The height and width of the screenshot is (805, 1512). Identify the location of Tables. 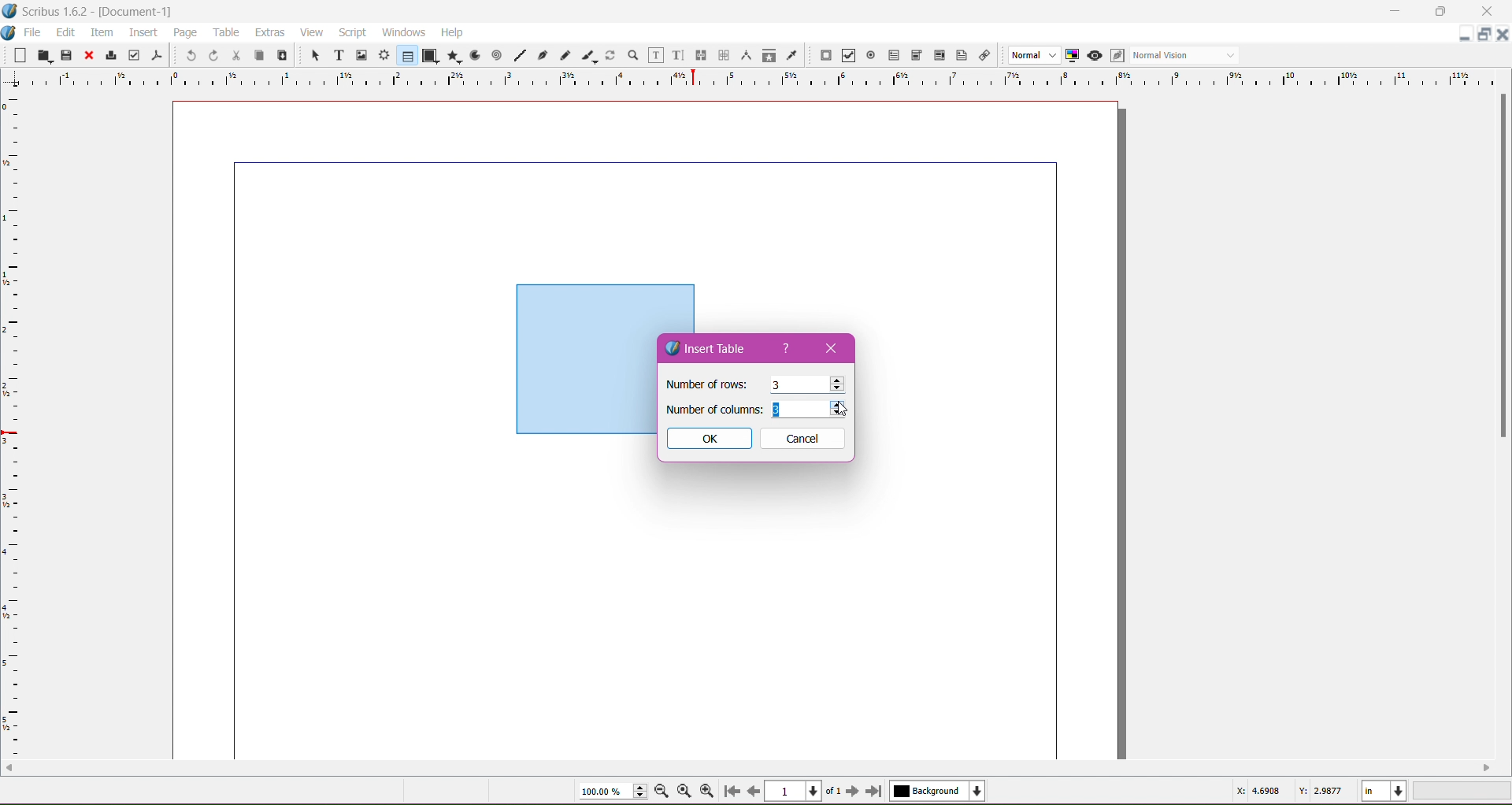
(406, 55).